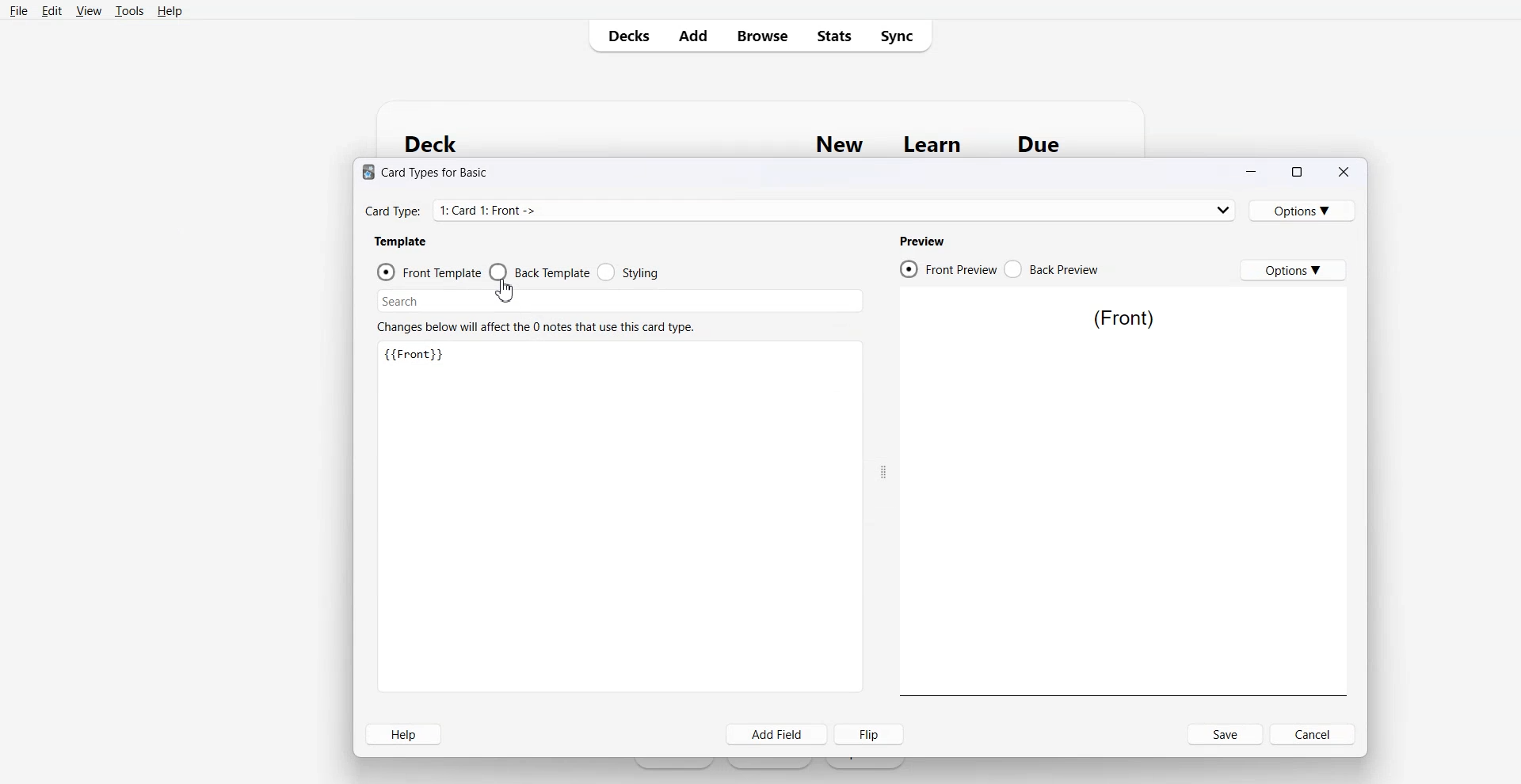 This screenshot has width=1521, height=784. Describe the element at coordinates (776, 734) in the screenshot. I see `Add field` at that location.